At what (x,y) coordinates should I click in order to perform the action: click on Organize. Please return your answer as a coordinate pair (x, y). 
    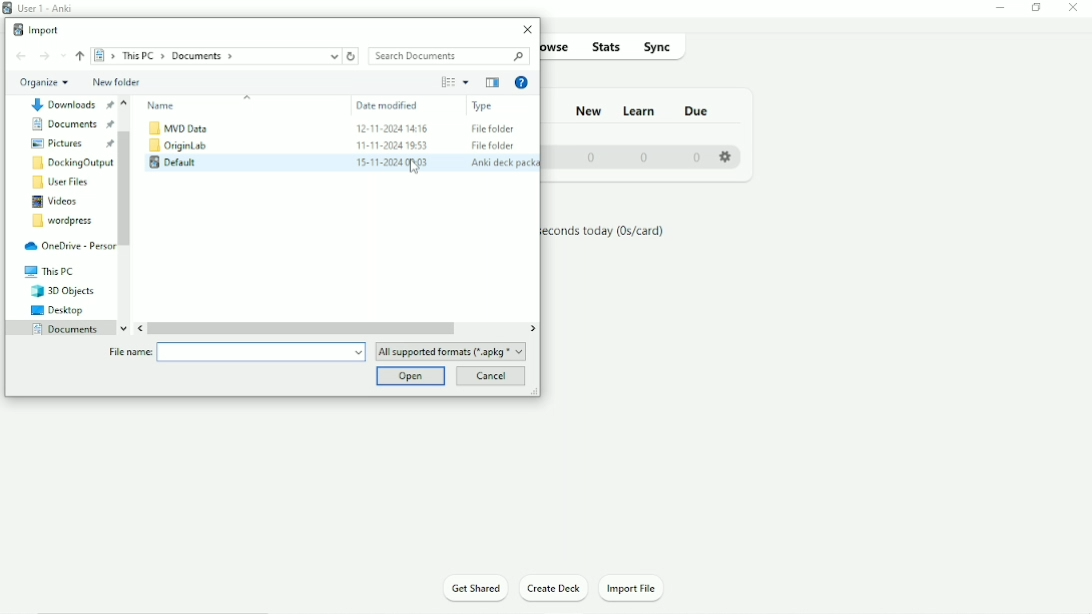
    Looking at the image, I should click on (44, 83).